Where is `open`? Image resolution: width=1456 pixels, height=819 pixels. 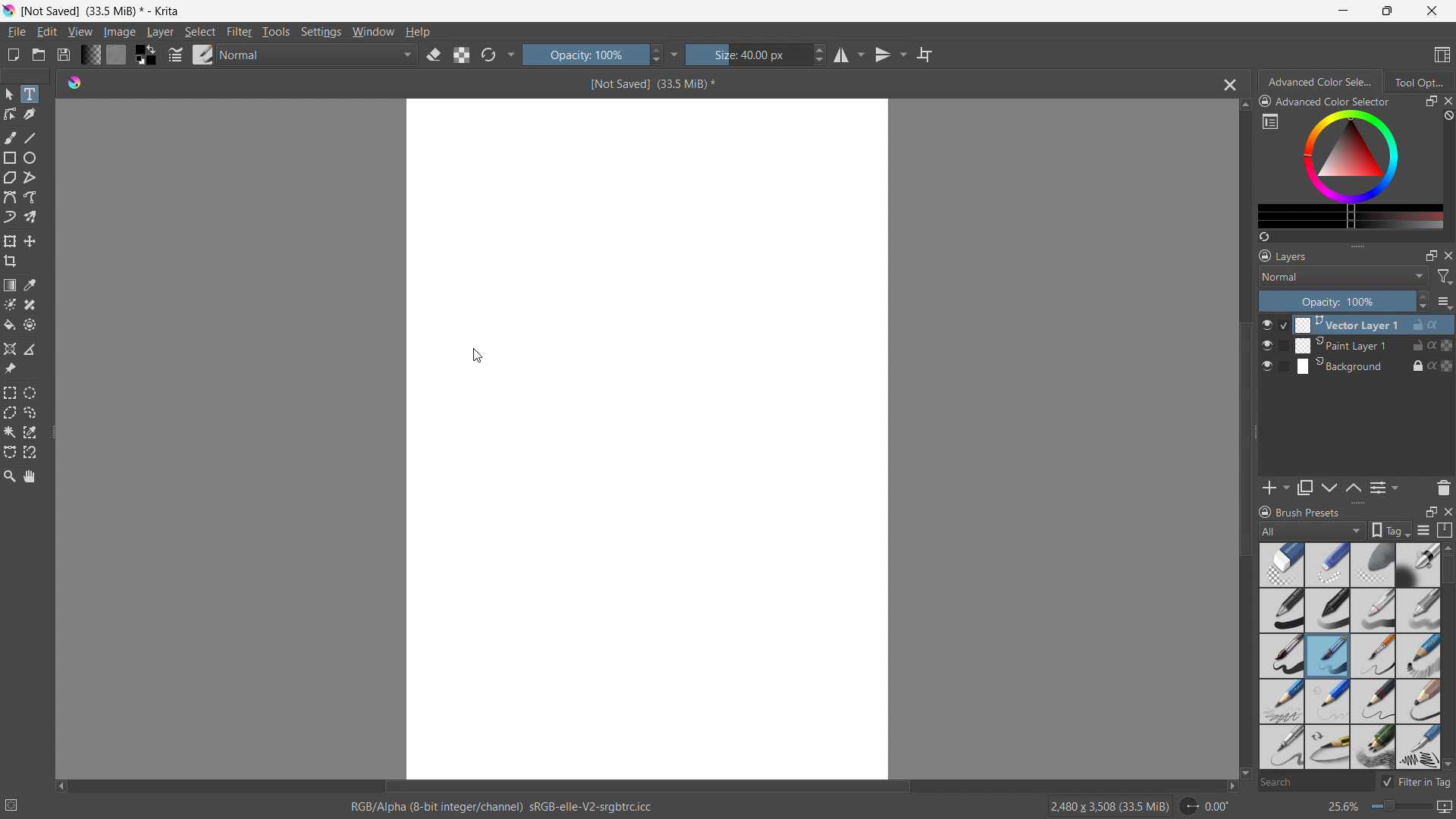 open is located at coordinates (39, 55).